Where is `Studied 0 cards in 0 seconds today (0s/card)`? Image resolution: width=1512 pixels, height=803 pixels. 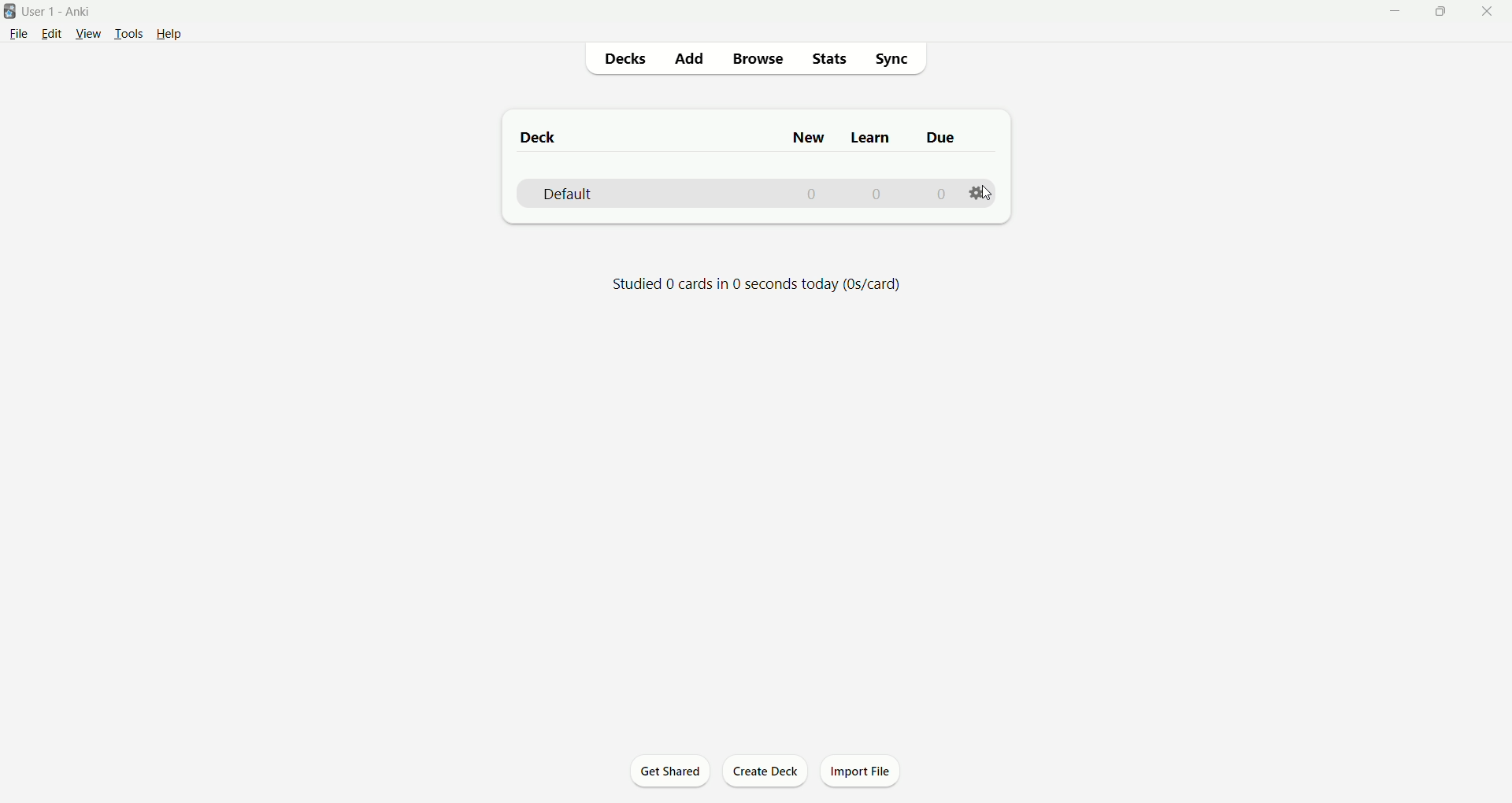
Studied 0 cards in 0 seconds today (0s/card) is located at coordinates (758, 286).